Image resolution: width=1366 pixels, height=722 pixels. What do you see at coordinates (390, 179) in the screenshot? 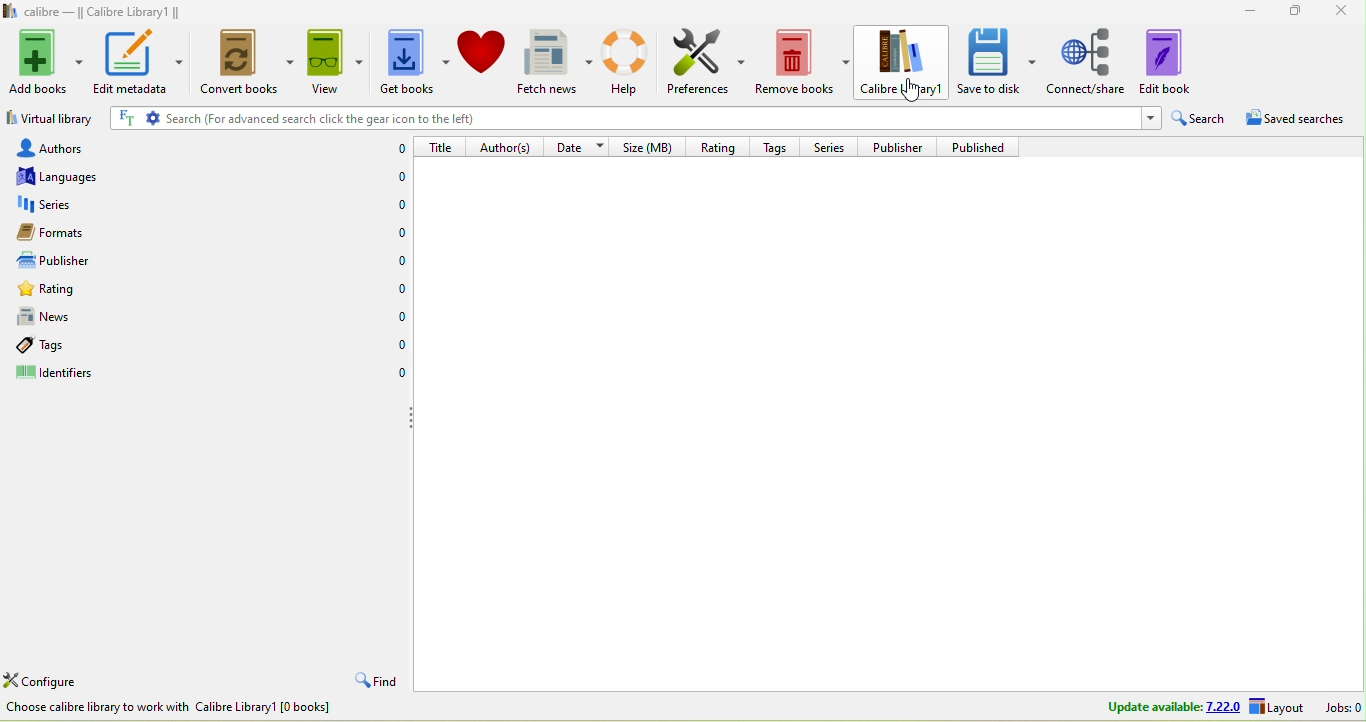
I see `0` at bounding box center [390, 179].